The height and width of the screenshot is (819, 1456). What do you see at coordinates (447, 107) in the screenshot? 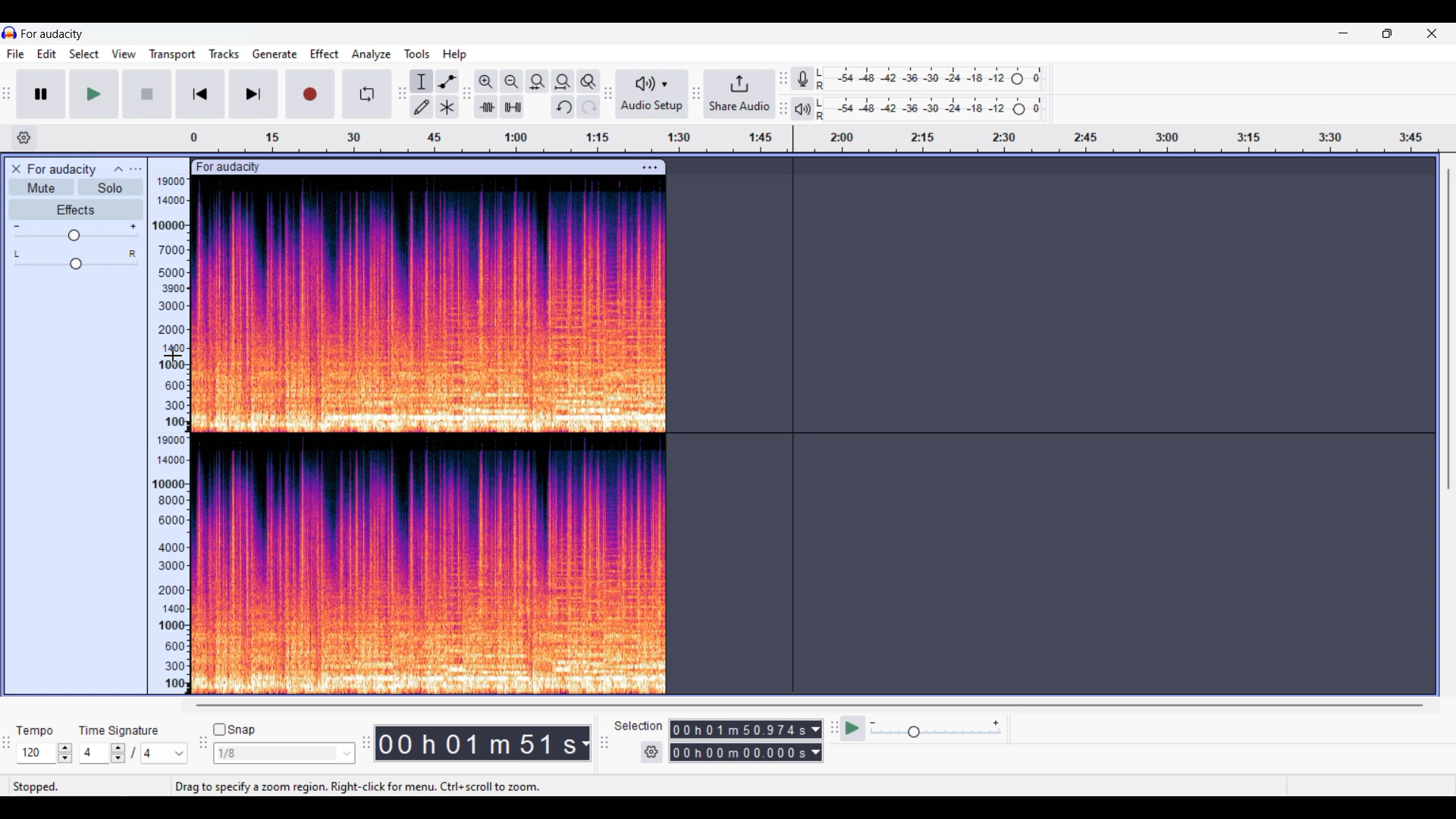
I see `Multi tool` at bounding box center [447, 107].